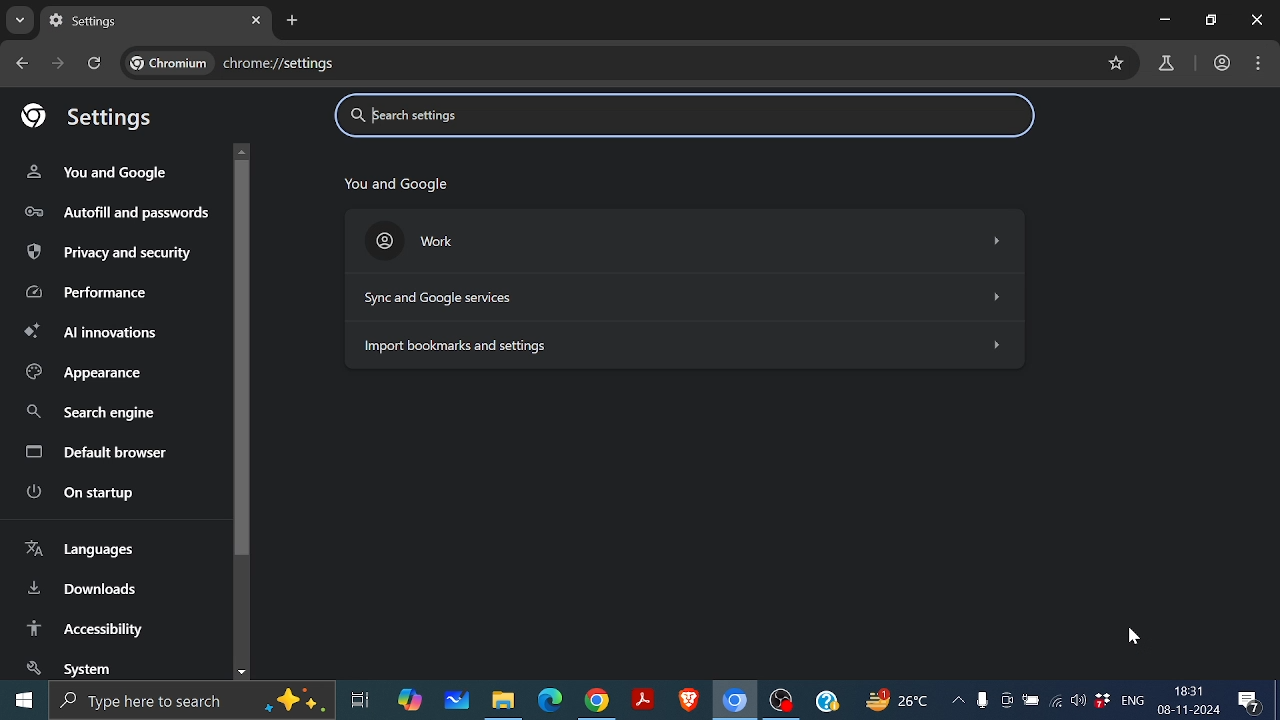  I want to click on Sync and services, so click(684, 293).